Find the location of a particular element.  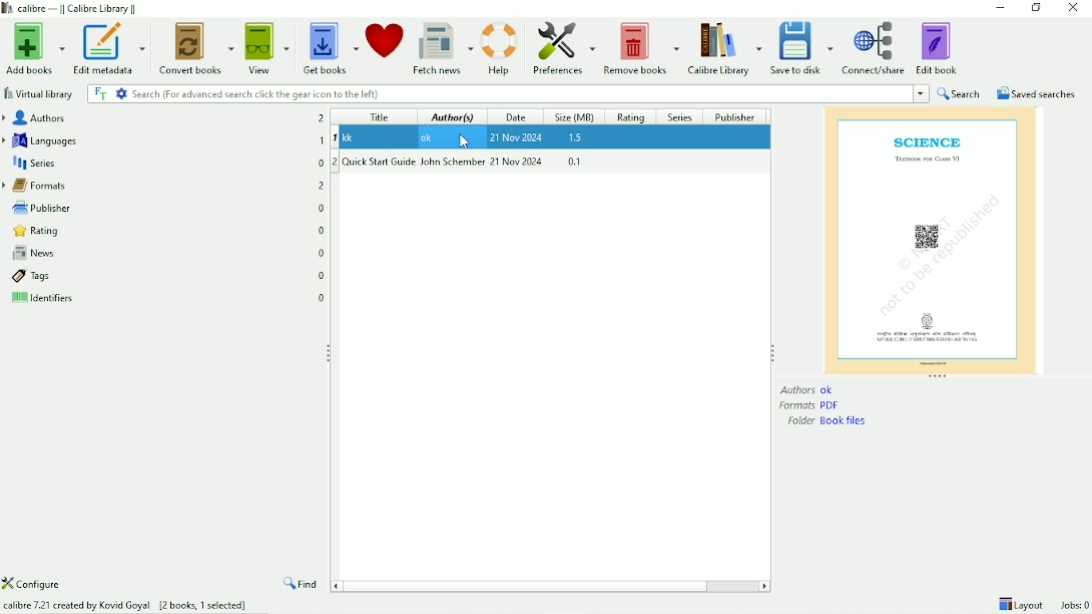

Series is located at coordinates (163, 164).